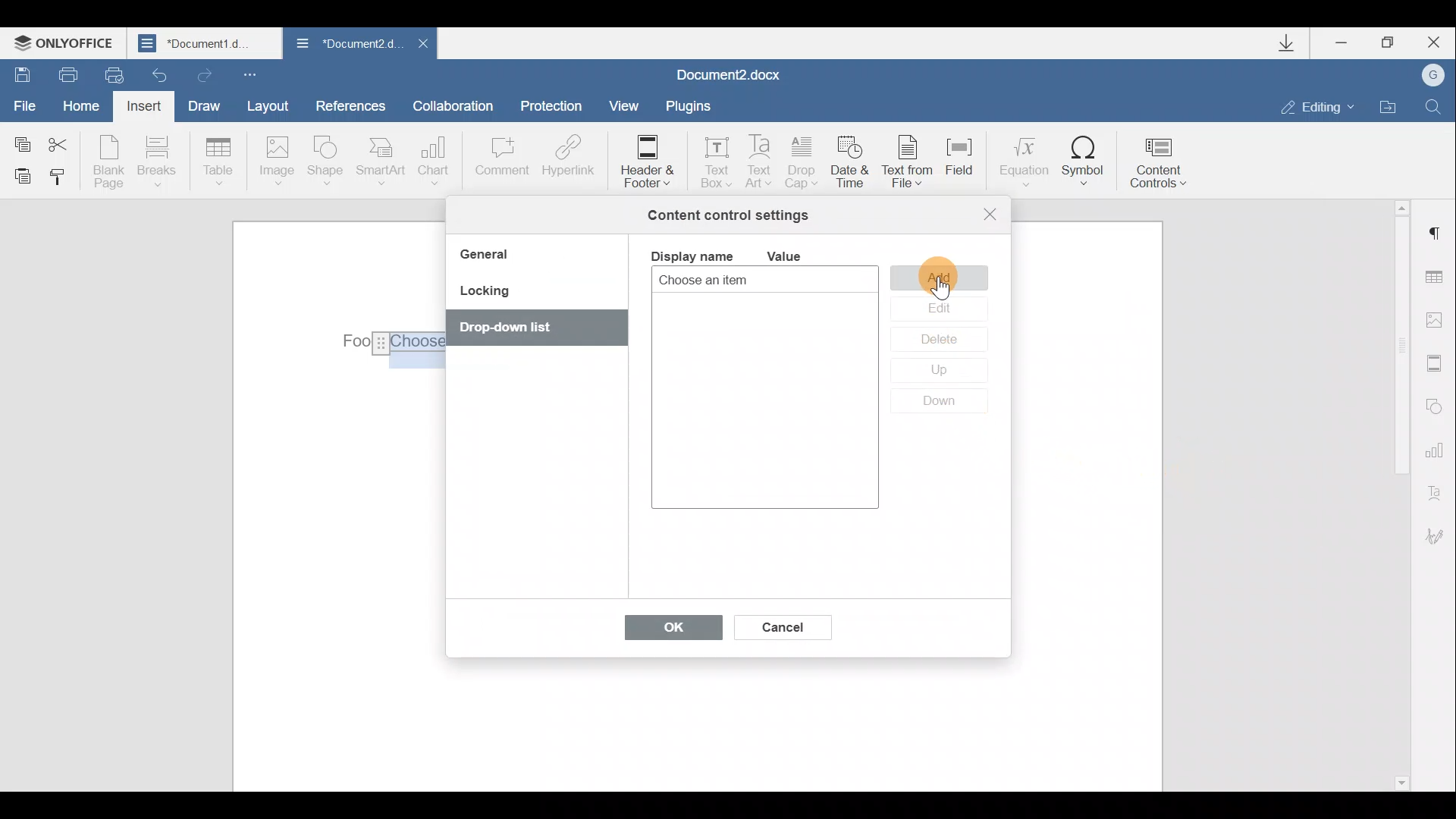 This screenshot has height=819, width=1456. Describe the element at coordinates (938, 309) in the screenshot. I see `Edit` at that location.